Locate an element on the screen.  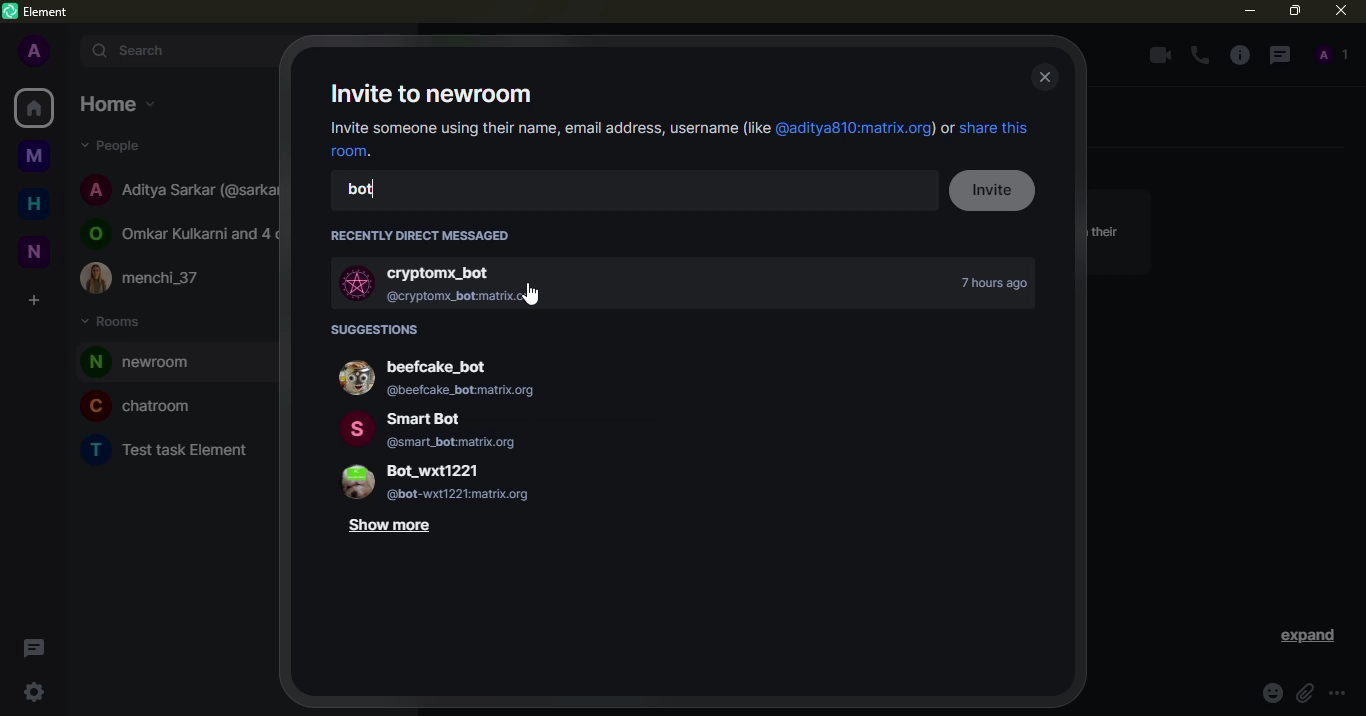
threads is located at coordinates (34, 647).